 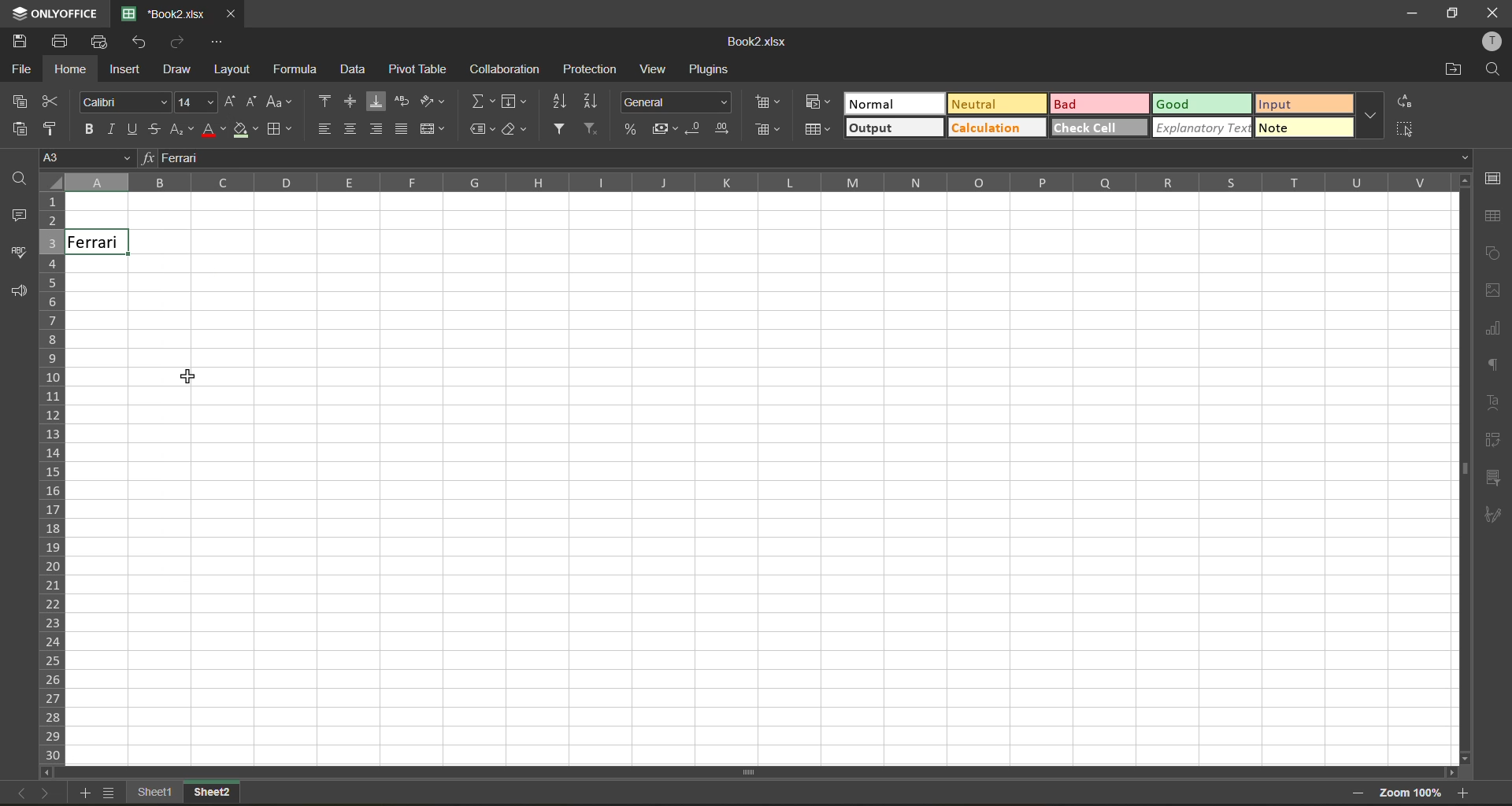 I want to click on signature, so click(x=1495, y=517).